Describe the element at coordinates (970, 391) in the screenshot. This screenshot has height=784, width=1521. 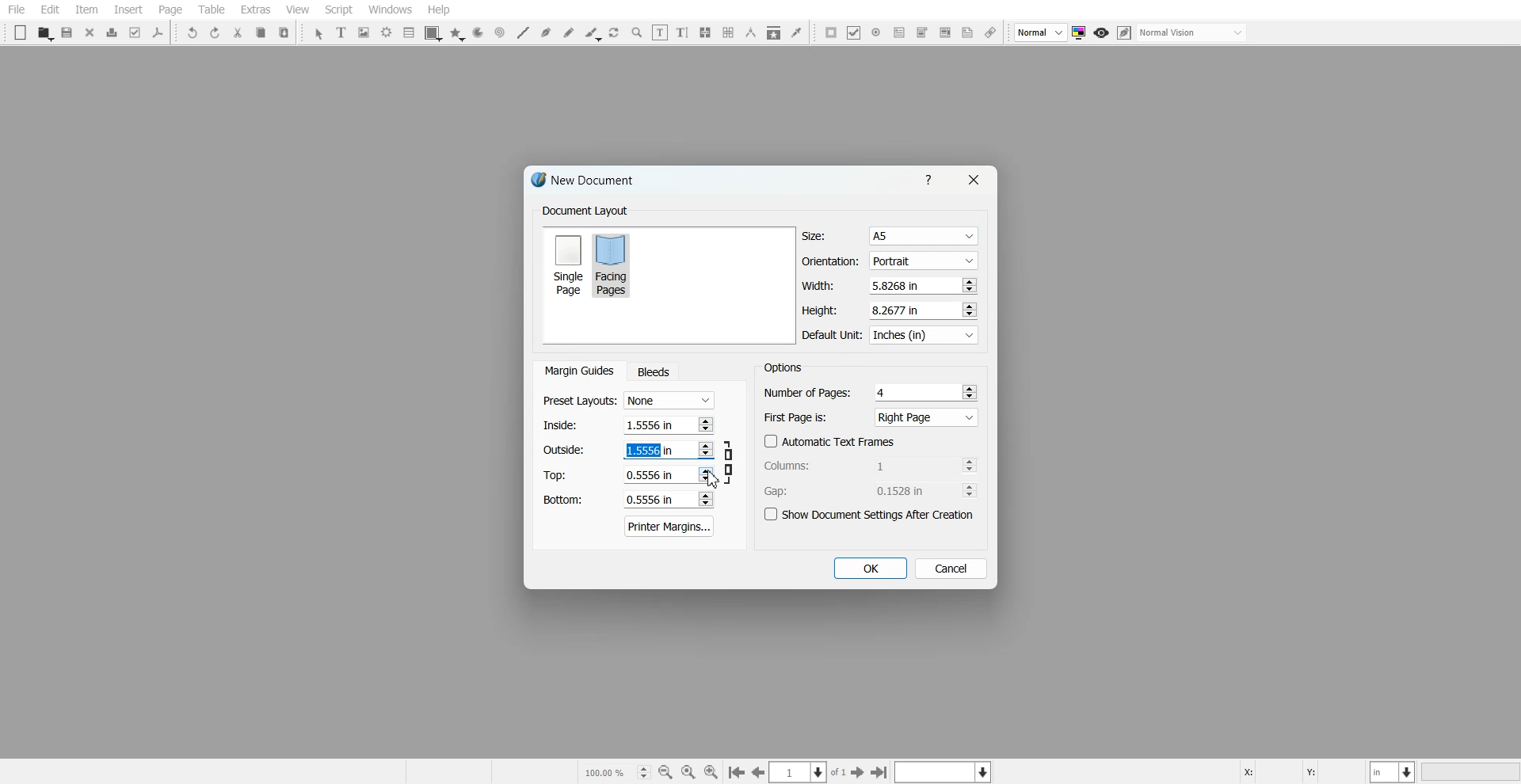
I see `Increase and decrease No. ` at that location.